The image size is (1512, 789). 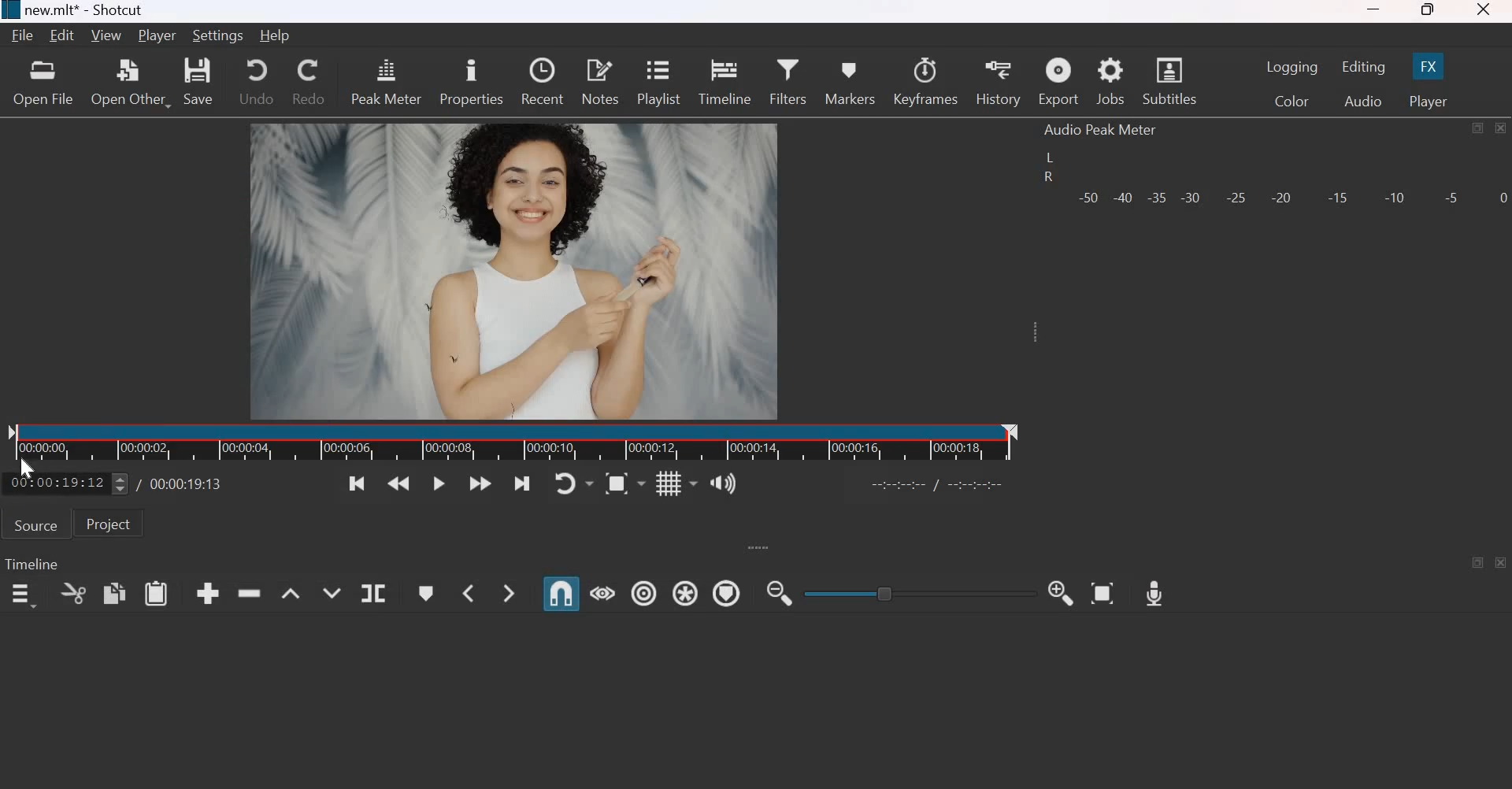 What do you see at coordinates (1477, 128) in the screenshot?
I see `maximize` at bounding box center [1477, 128].